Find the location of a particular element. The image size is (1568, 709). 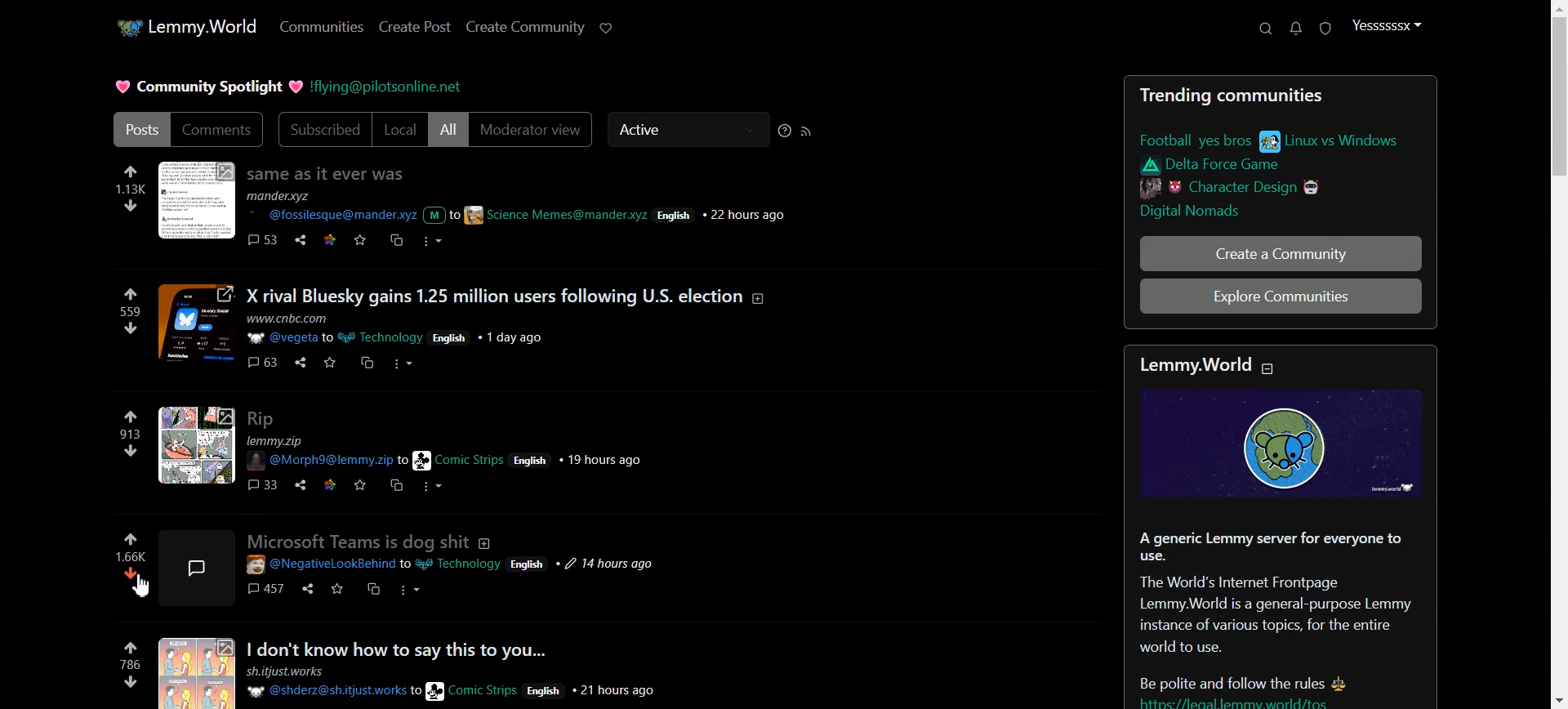

Rss is located at coordinates (808, 131).